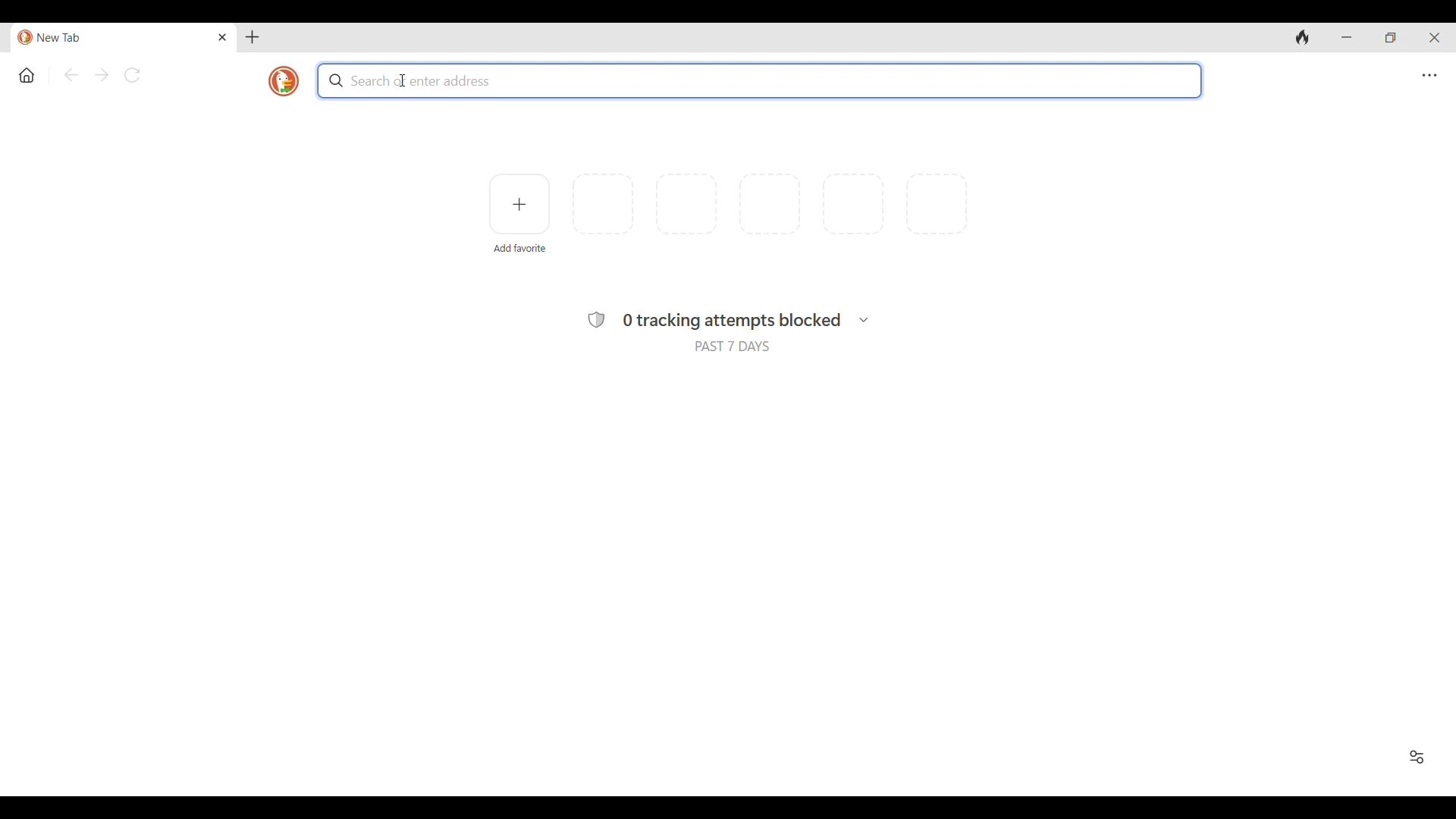 This screenshot has height=819, width=1456. Describe the element at coordinates (1347, 37) in the screenshot. I see `Minimize` at that location.